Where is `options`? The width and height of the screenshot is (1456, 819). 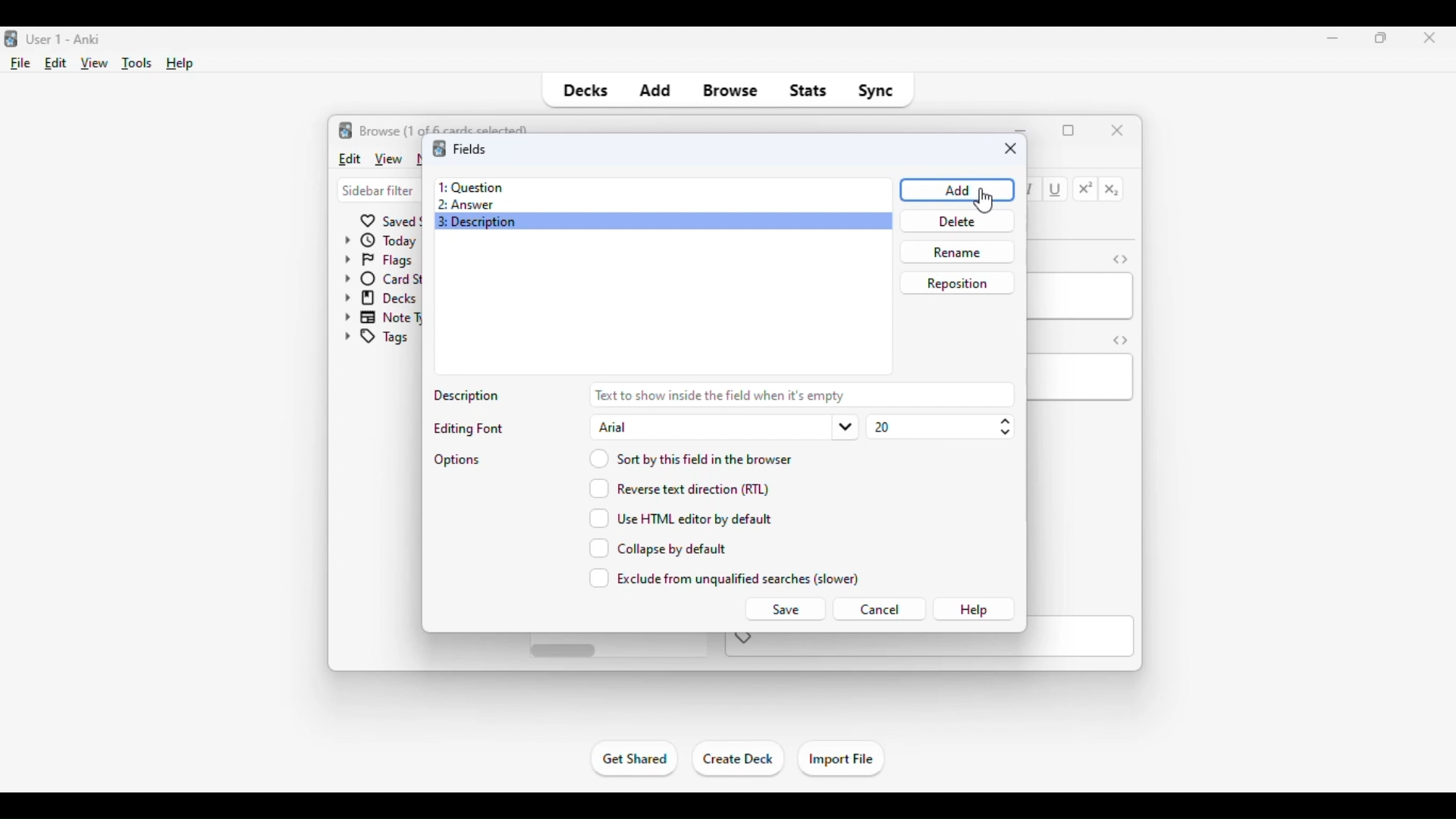
options is located at coordinates (458, 460).